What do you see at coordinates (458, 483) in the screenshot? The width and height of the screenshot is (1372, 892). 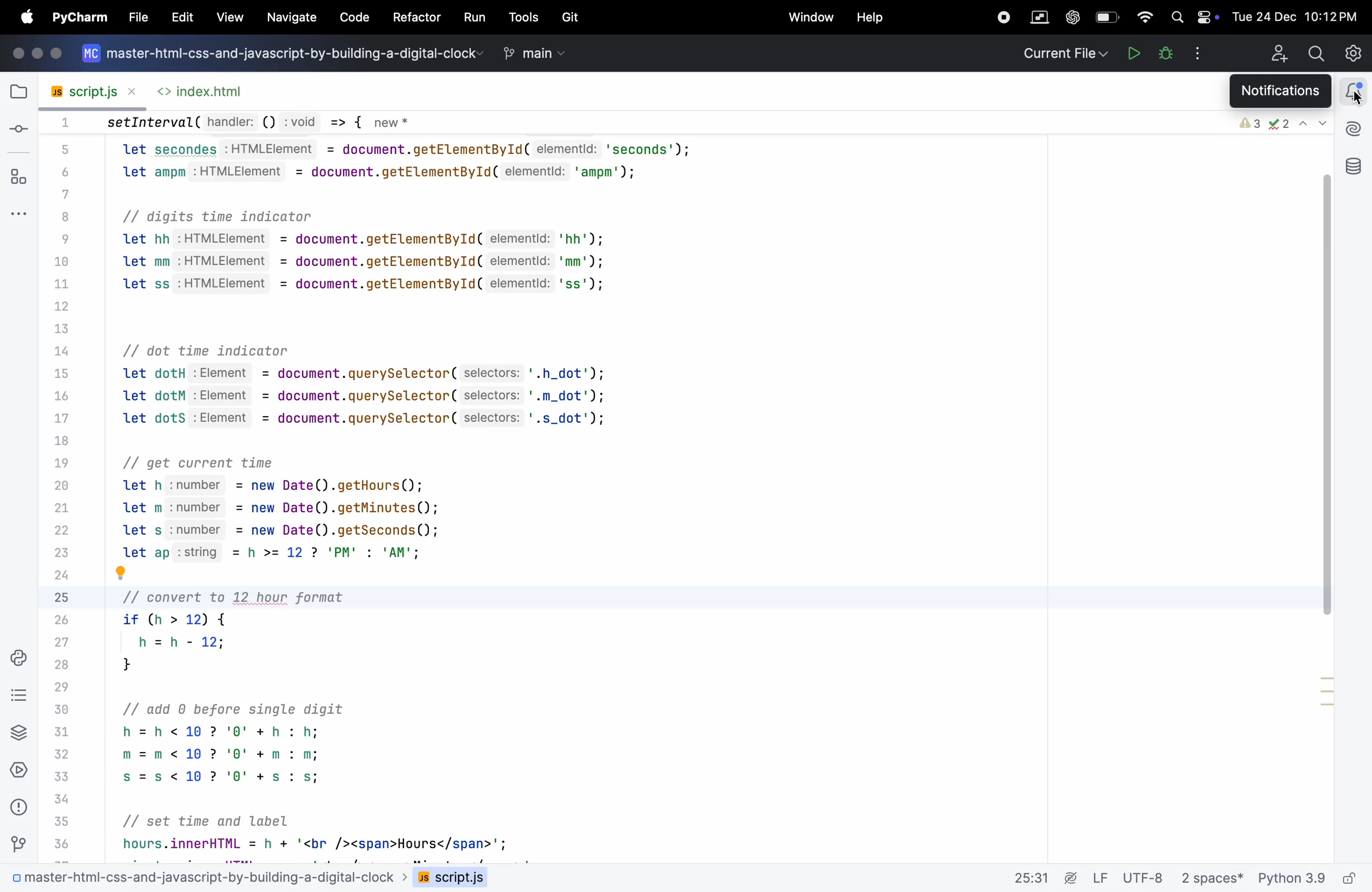 I see `setInterval( handler: () :void => { new *
let secondes :HTMLElement = document.getElementById( elementld: 'seconds');
let ampm :HTMLElement = document.getElementById( elementld: 'ampm');
// digits time indicator
let hh :HTMLElement = document.getElementById( elementld: 'hh');
let mm :HTMLElement = document.getElementById( elementld: 'mm');
let ss :HTMLElement = document.getElementById( elementld: 'ss');
// dot time indicator
let dotH :Element = document.querySelector( selectors: '.h_dot');
let dotM :Element = document.querySelector( selectors: '.m_dot');
let dotS :Element = document.querySelector( selectors: '.s_dot');
// get current time
let h :number = new Date().getHours();
let m :number = new Date().getMinutes();
let s :number = new Date().getSeconds();
let ap :string = h >= 12 ? 'PM' : 'AM';
| J
// convert to 12 hour format
if (h > 12) {
h =h- 12;
}
// add 0 before single digit
h=h<10 ? '0' + h : h;
m=m<10 ? '0' +m : m;
s=s<10? '0' +s : s;
// set time and label
hours.innerHTML = h + '<br /><span>Hours</span>';` at bounding box center [458, 483].